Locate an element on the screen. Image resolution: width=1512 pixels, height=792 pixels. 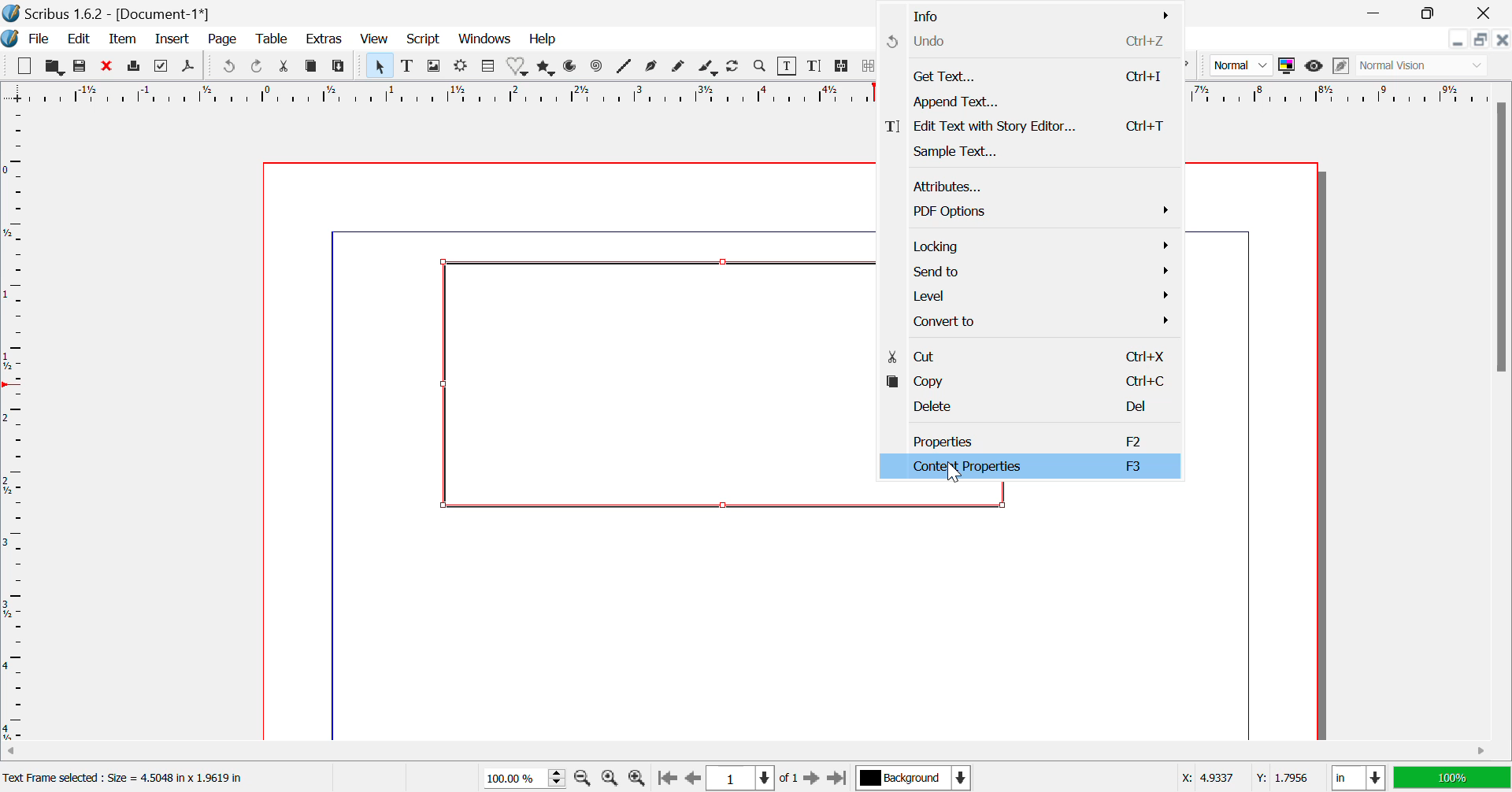
Shapes is located at coordinates (520, 68).